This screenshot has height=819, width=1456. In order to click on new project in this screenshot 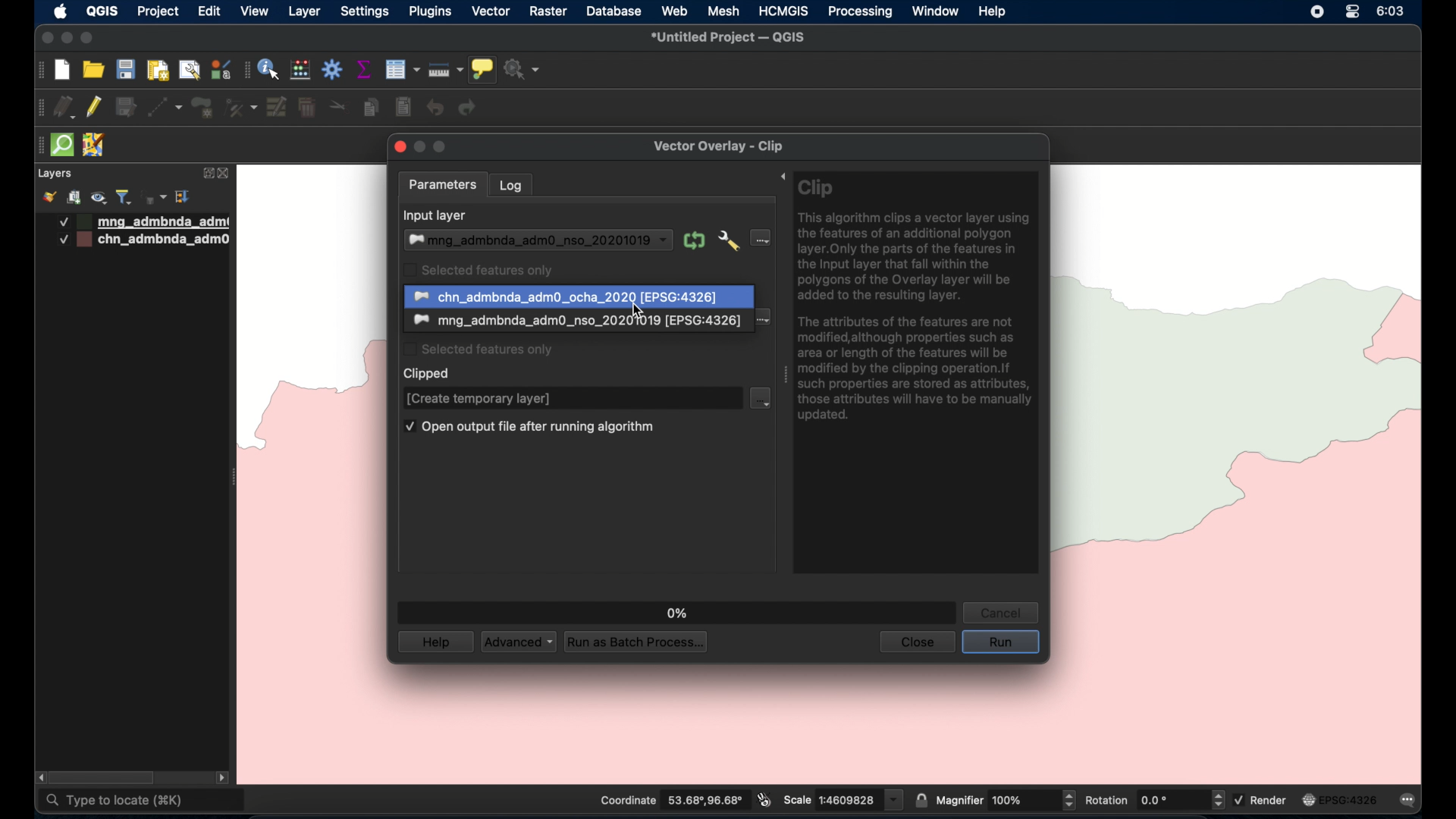, I will do `click(63, 71)`.